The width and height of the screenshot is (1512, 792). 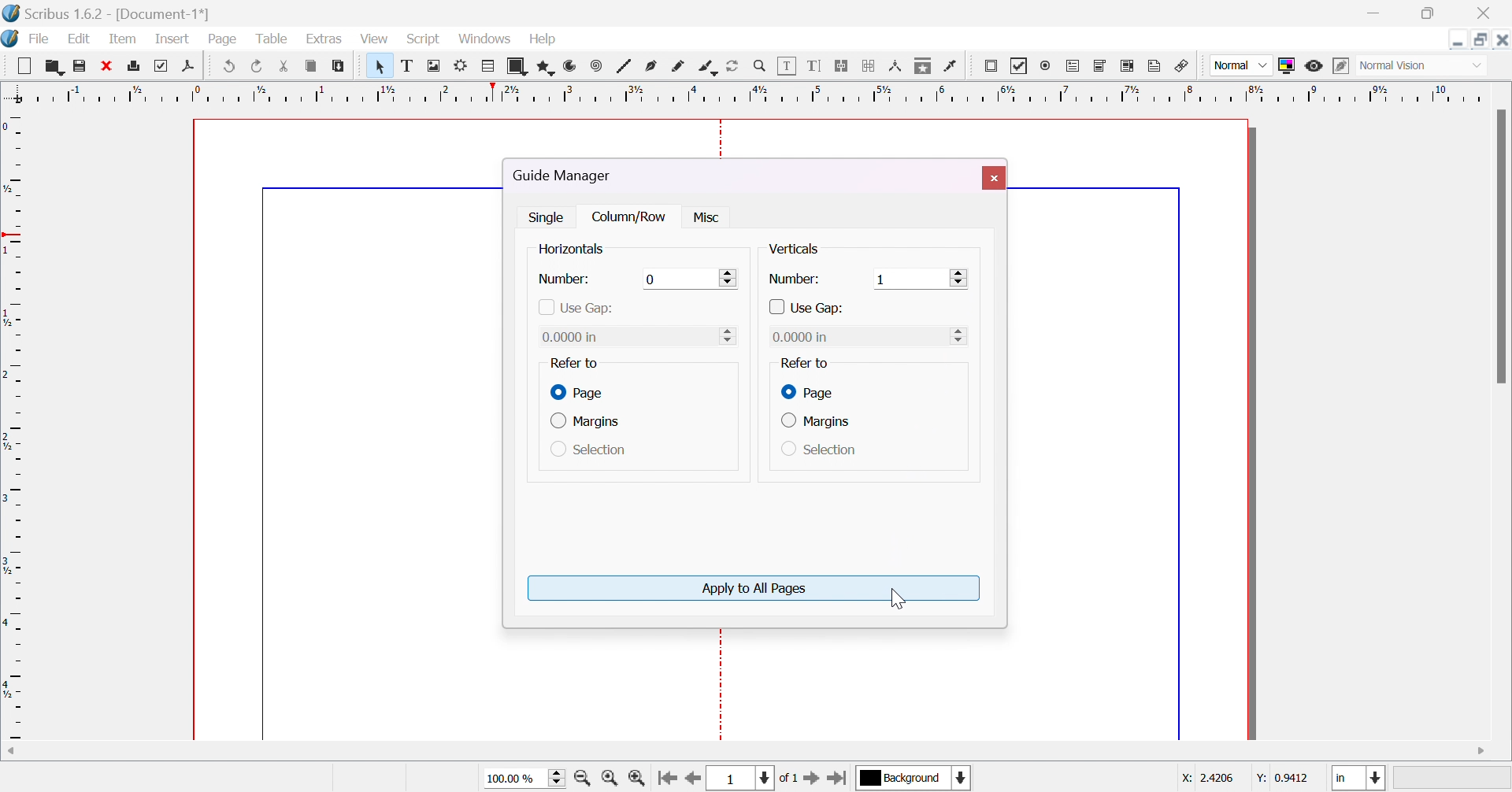 What do you see at coordinates (565, 279) in the screenshot?
I see `number` at bounding box center [565, 279].